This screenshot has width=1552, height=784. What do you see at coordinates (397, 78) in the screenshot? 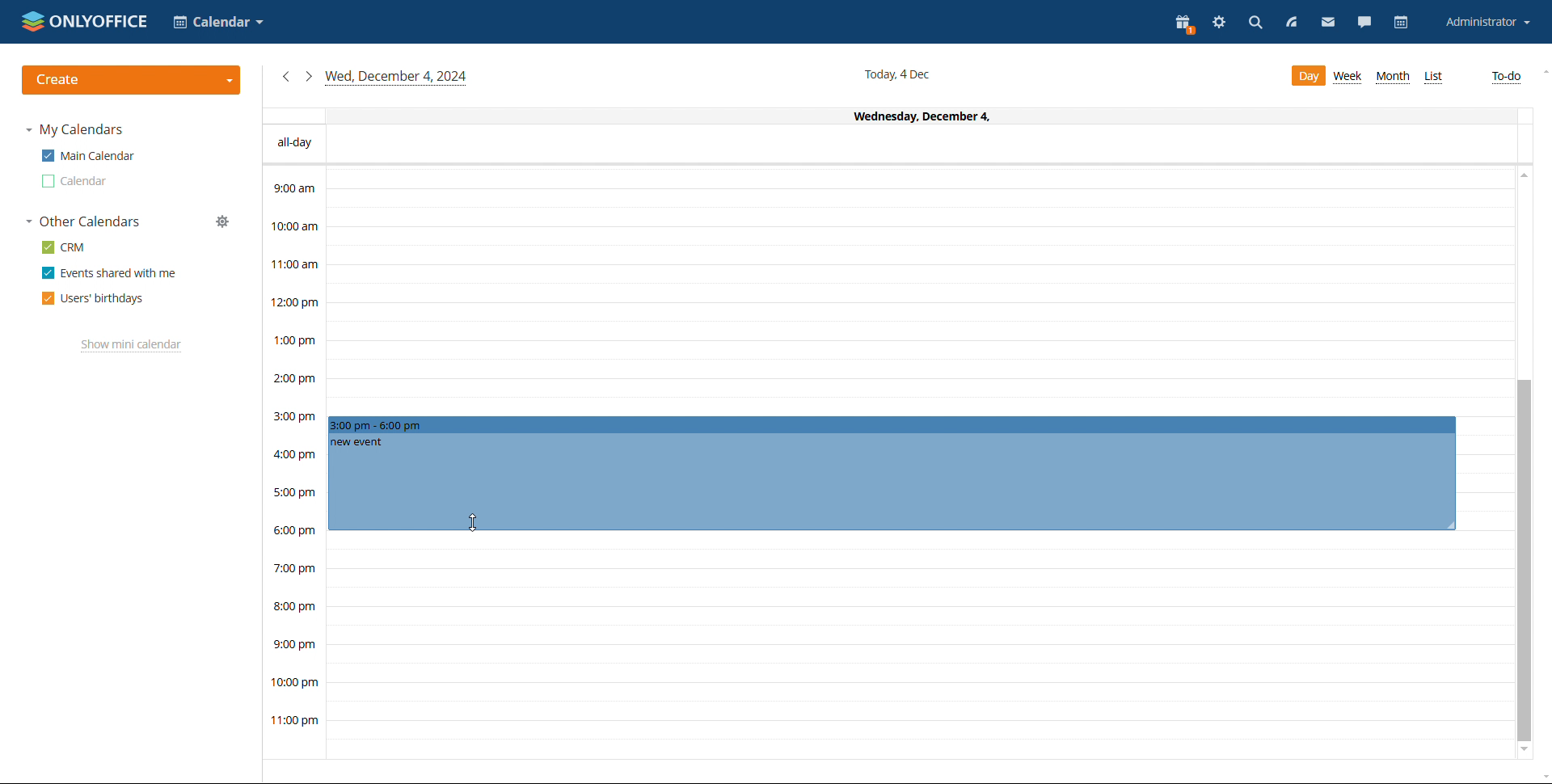
I see `today` at bounding box center [397, 78].